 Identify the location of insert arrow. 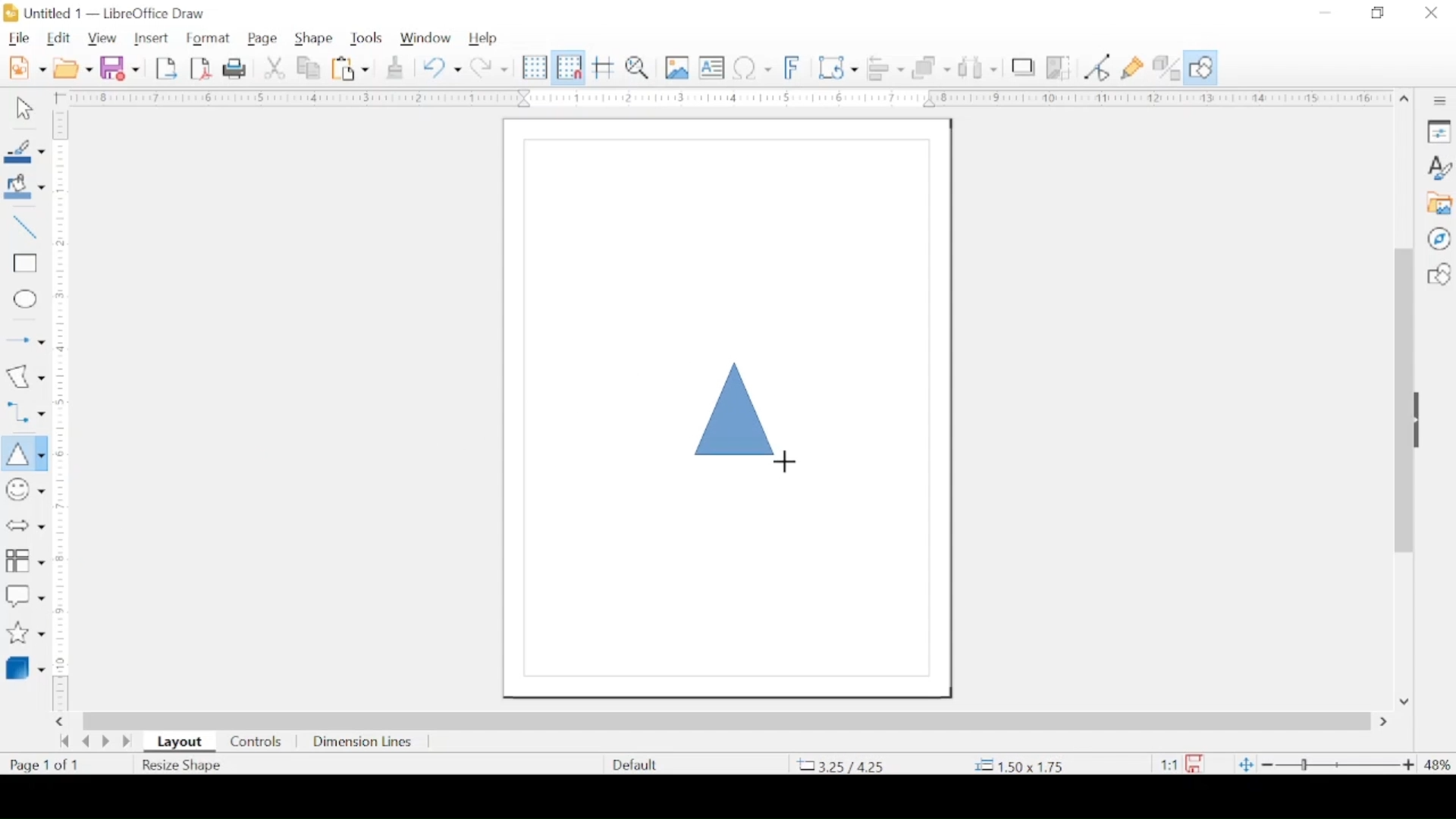
(24, 338).